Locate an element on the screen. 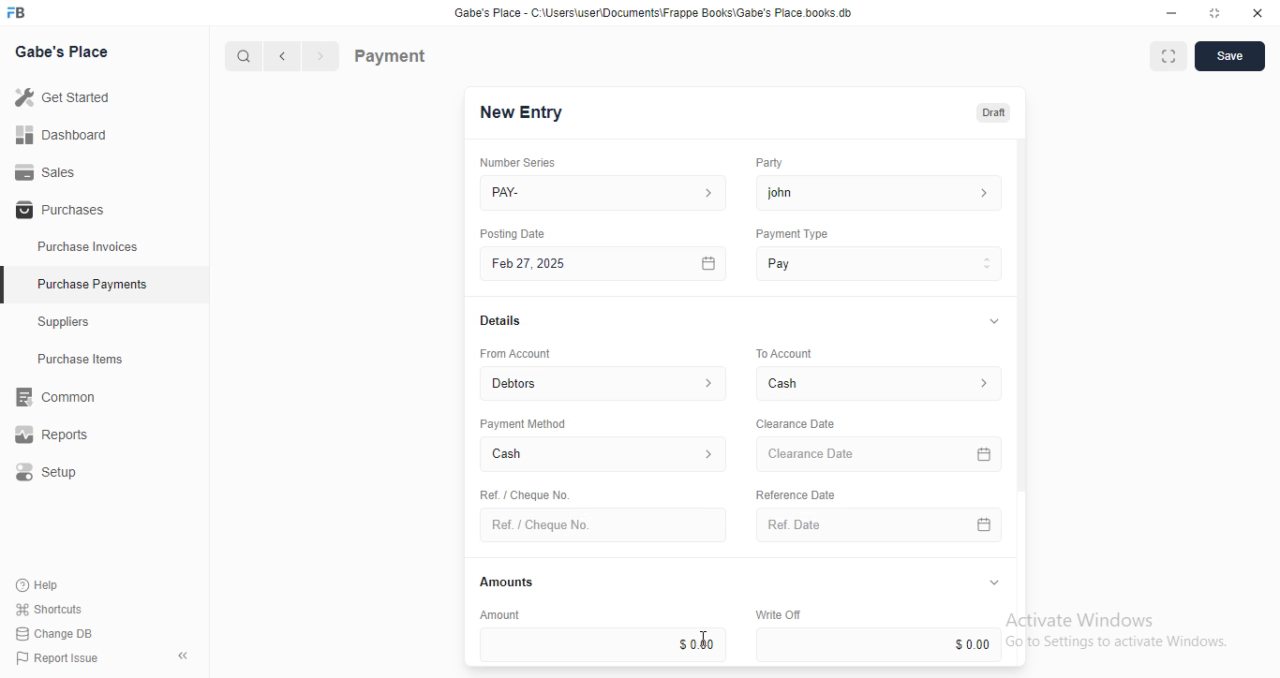  Posting Date is located at coordinates (514, 233).